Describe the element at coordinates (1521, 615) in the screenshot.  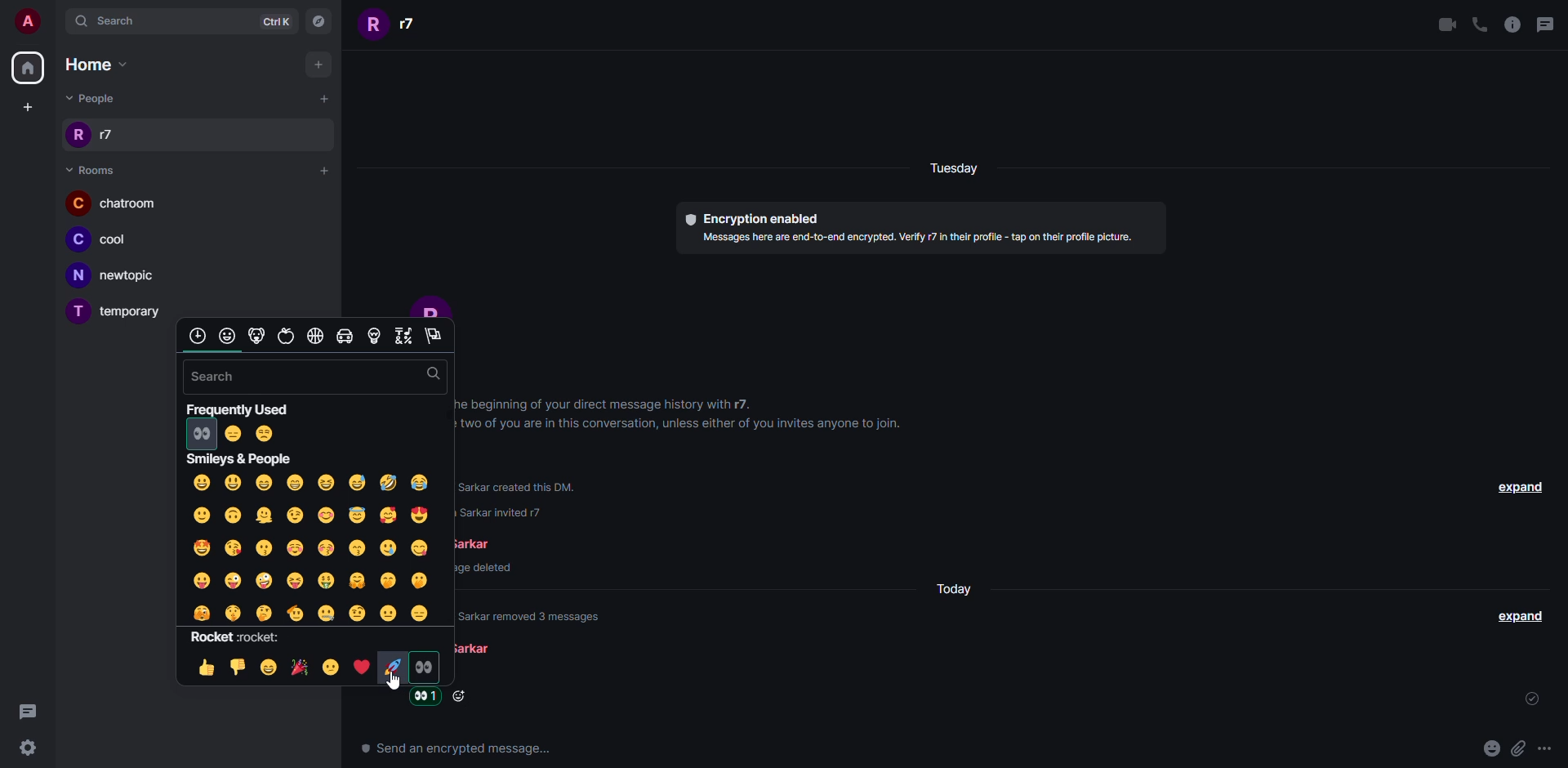
I see `expand` at that location.